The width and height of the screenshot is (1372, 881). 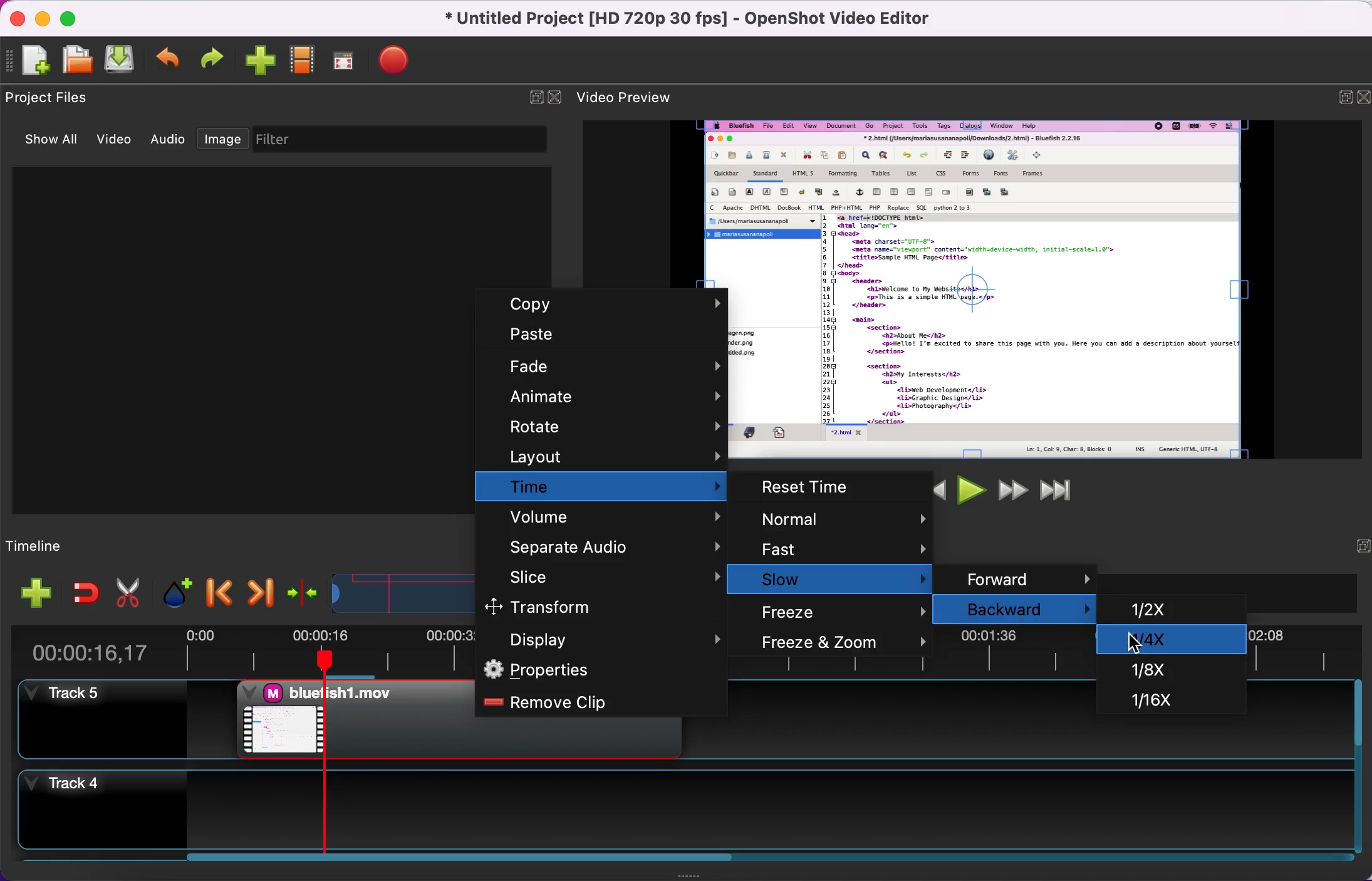 What do you see at coordinates (80, 61) in the screenshot?
I see `open project` at bounding box center [80, 61].